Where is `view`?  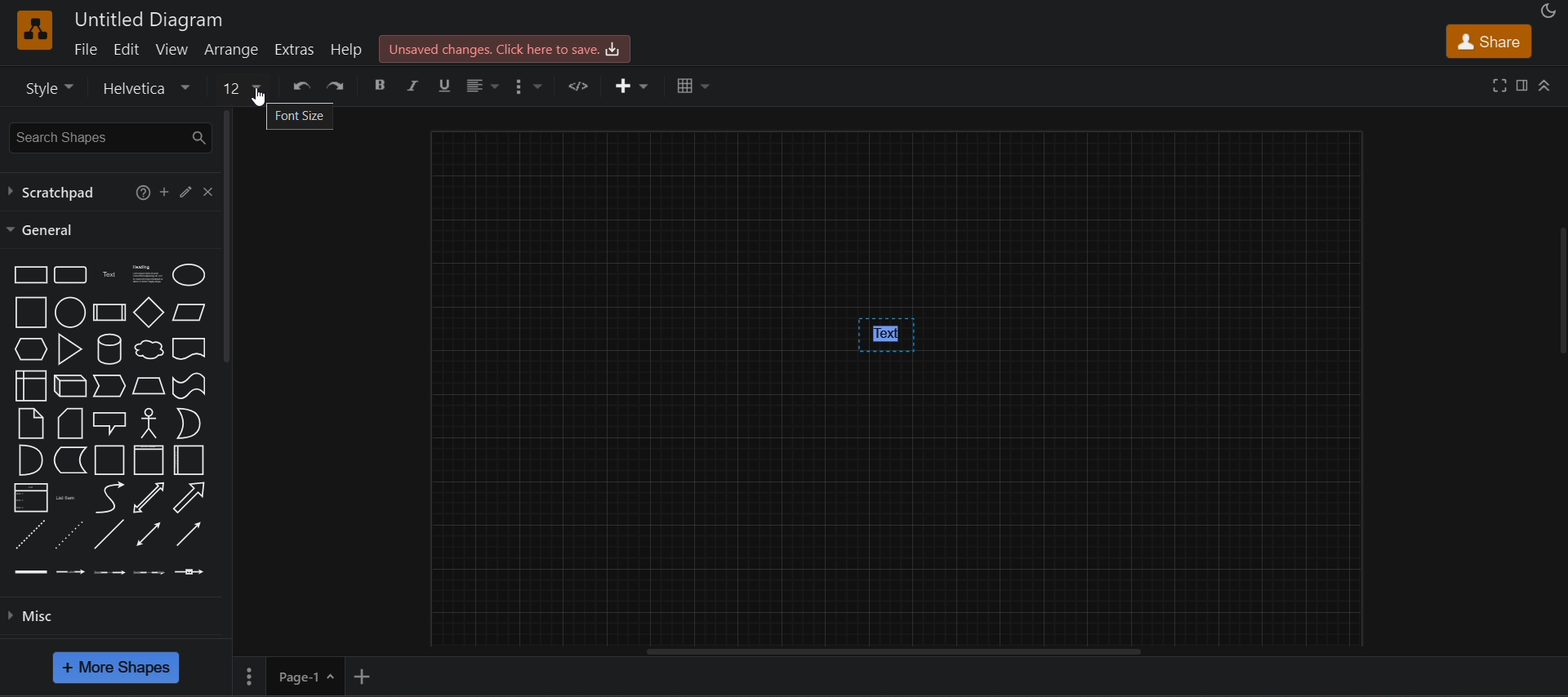 view is located at coordinates (172, 49).